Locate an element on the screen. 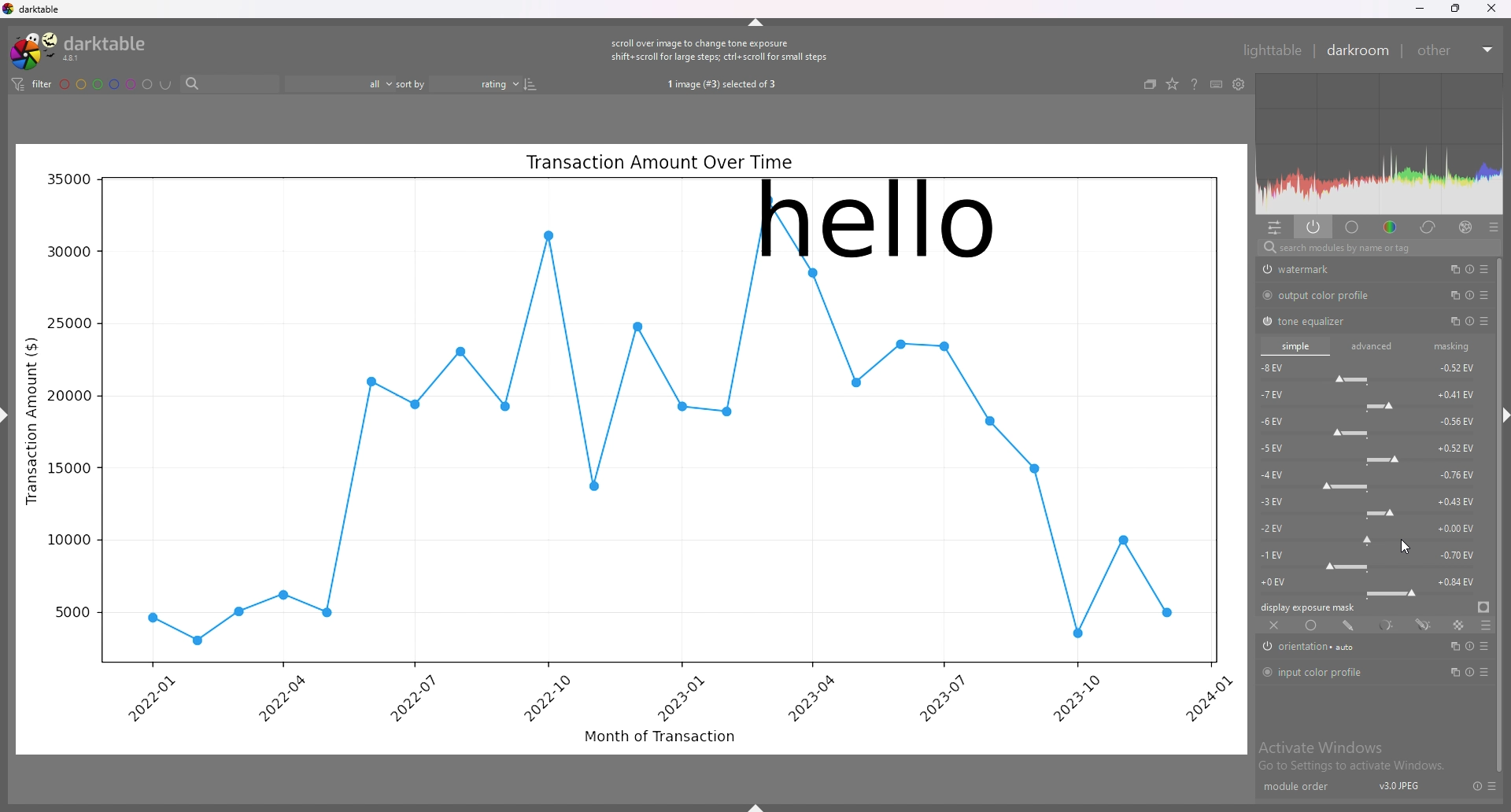  graph line is located at coordinates (664, 463).